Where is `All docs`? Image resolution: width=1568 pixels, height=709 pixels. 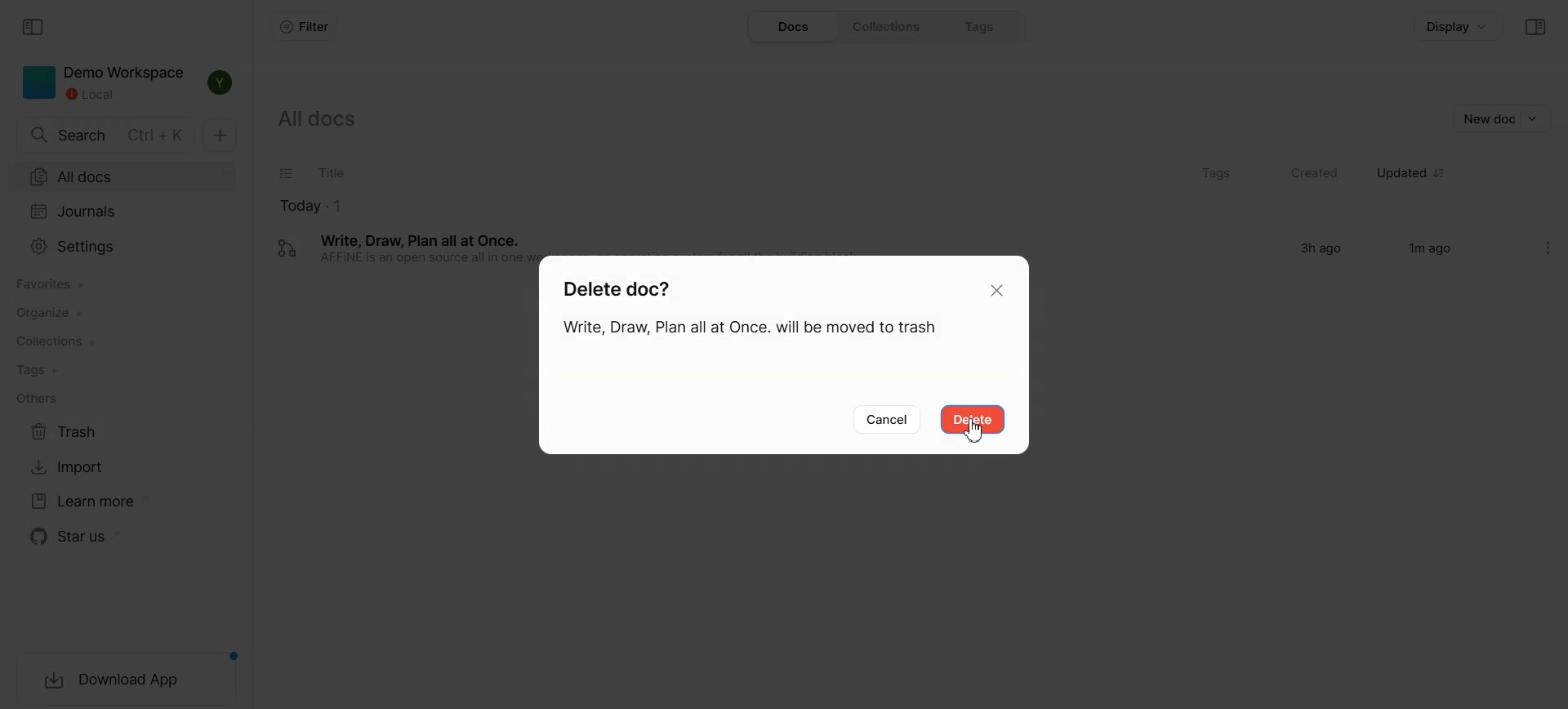
All docs is located at coordinates (122, 178).